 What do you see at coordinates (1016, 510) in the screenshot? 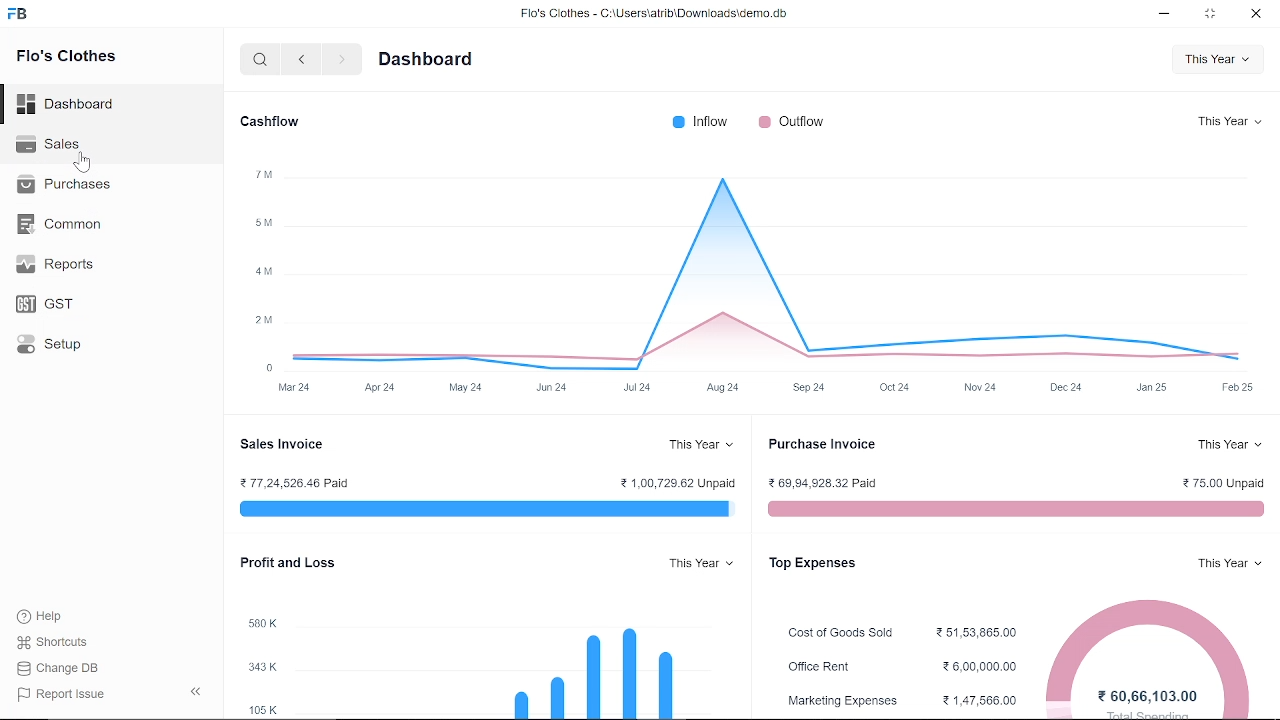
I see `red line` at bounding box center [1016, 510].